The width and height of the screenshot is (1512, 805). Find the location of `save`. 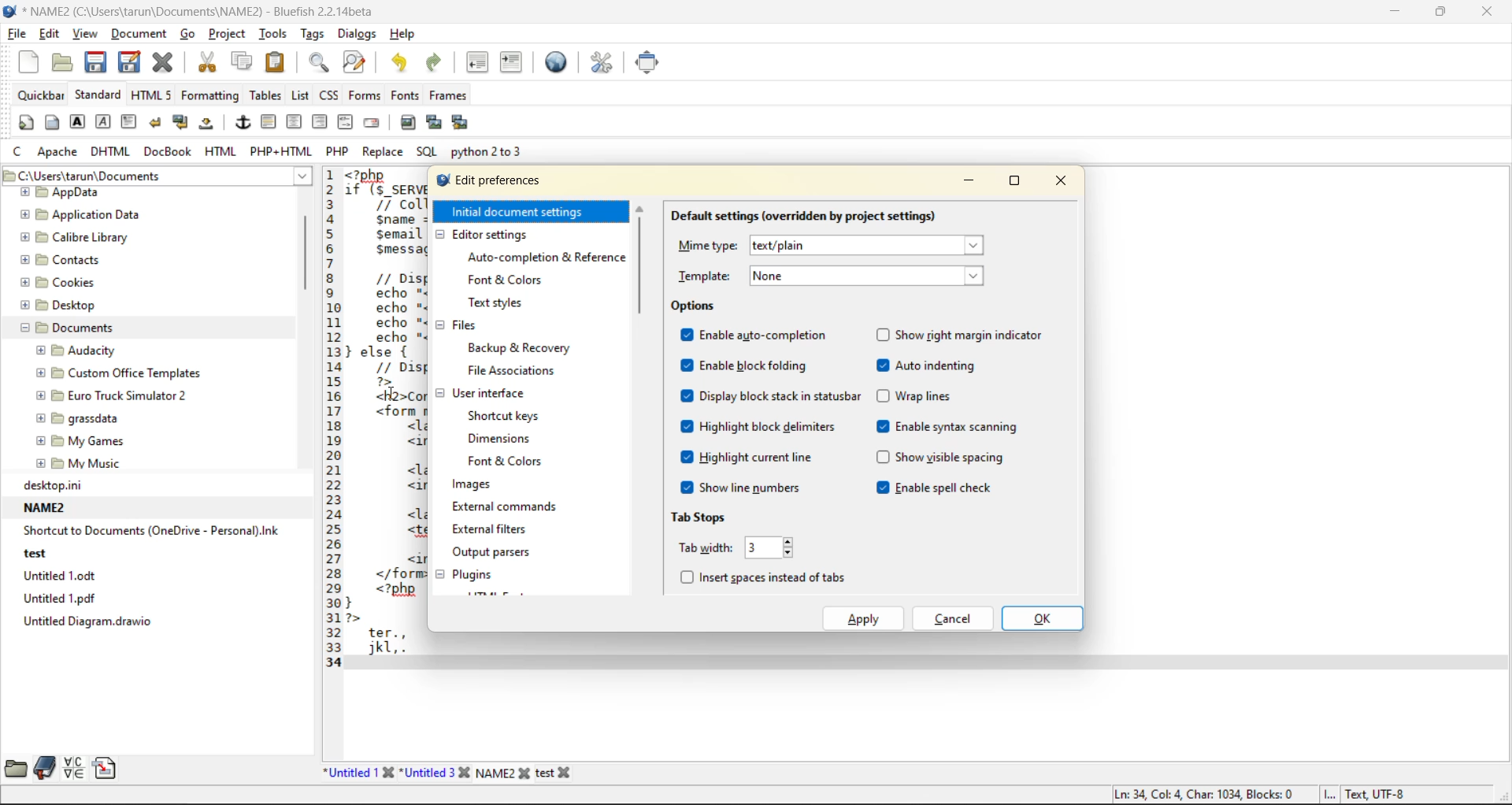

save is located at coordinates (98, 64).